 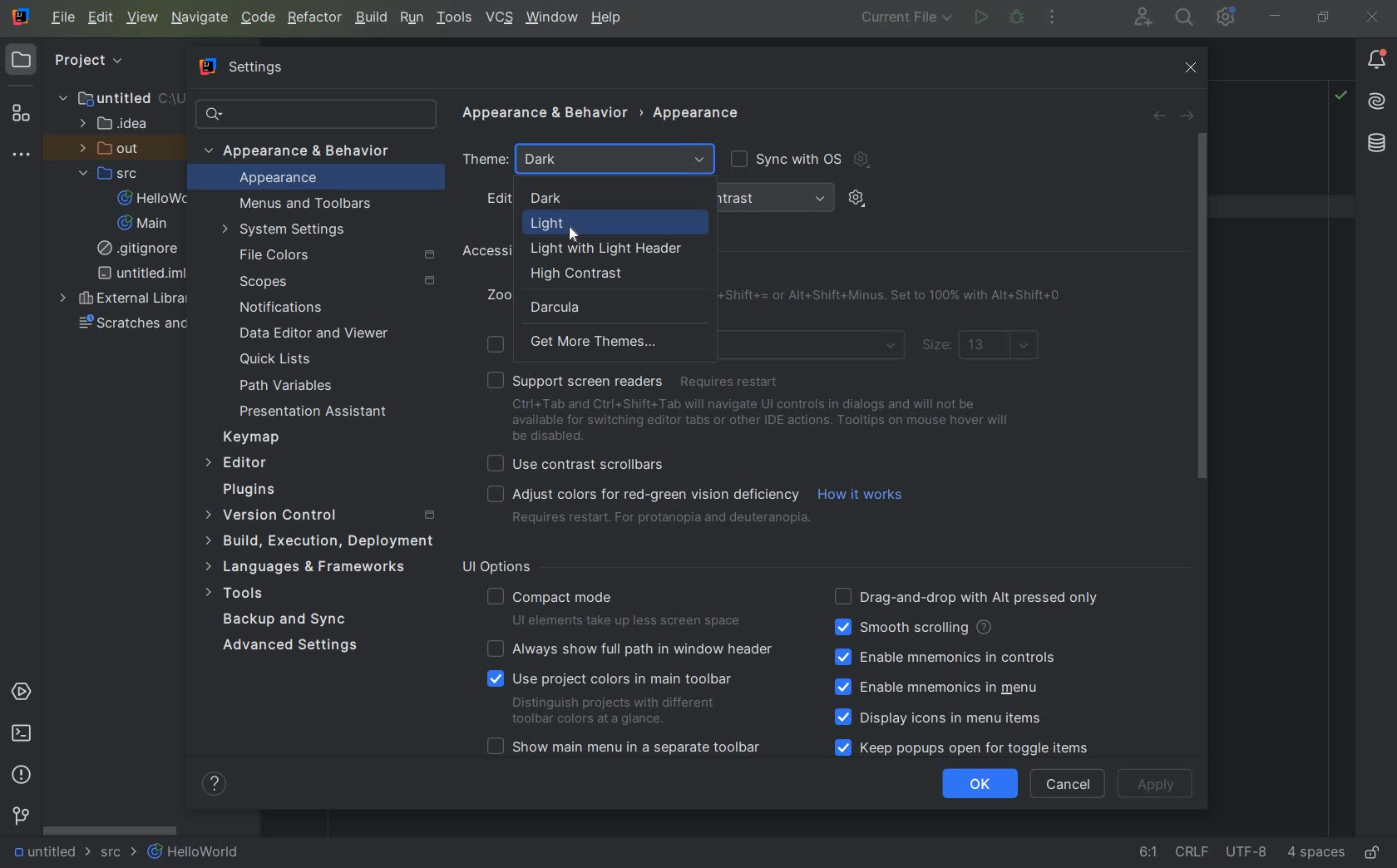 What do you see at coordinates (1376, 60) in the screenshot?
I see `notifications` at bounding box center [1376, 60].